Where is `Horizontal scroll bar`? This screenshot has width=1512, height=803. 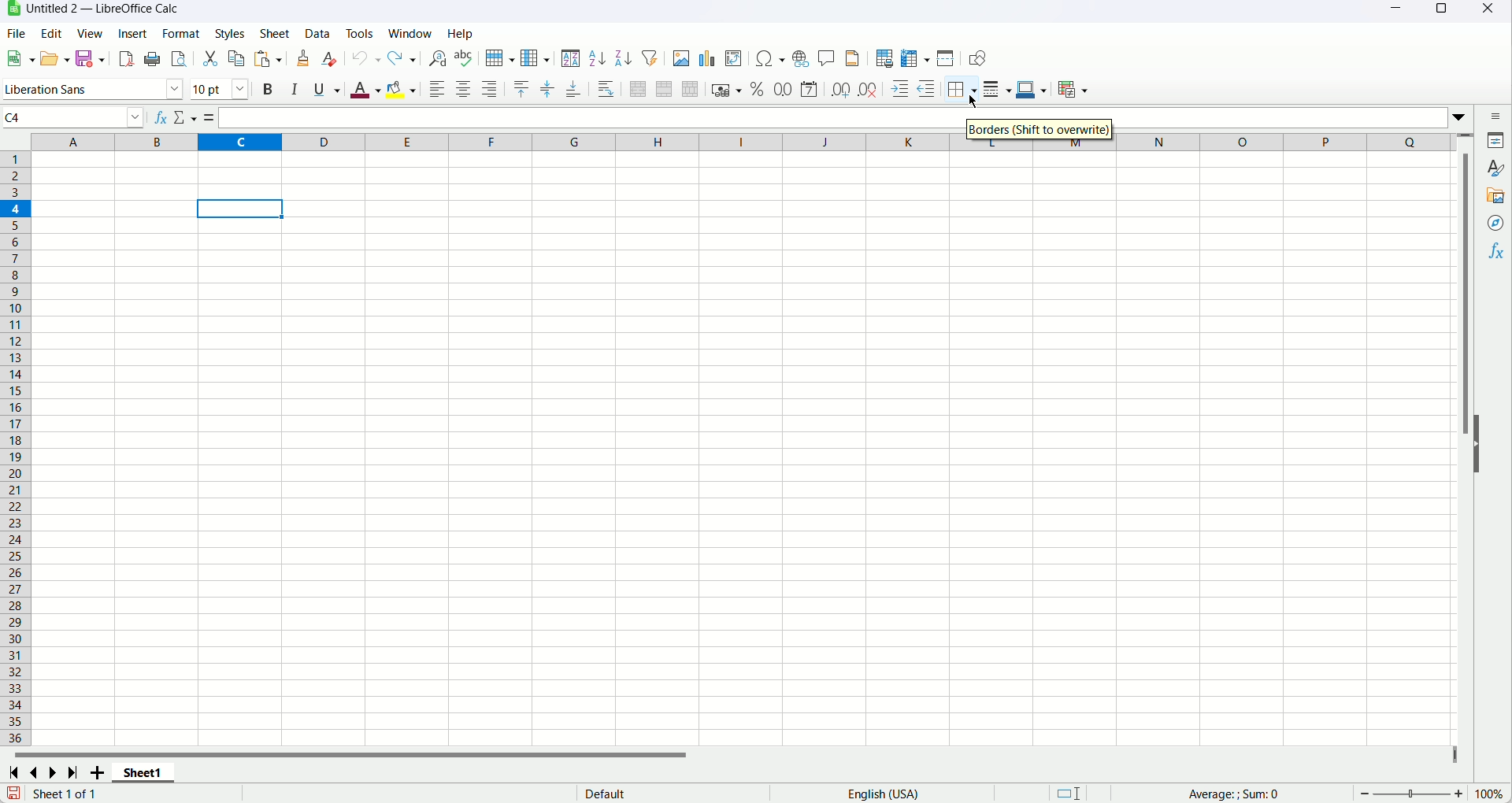 Horizontal scroll bar is located at coordinates (731, 757).